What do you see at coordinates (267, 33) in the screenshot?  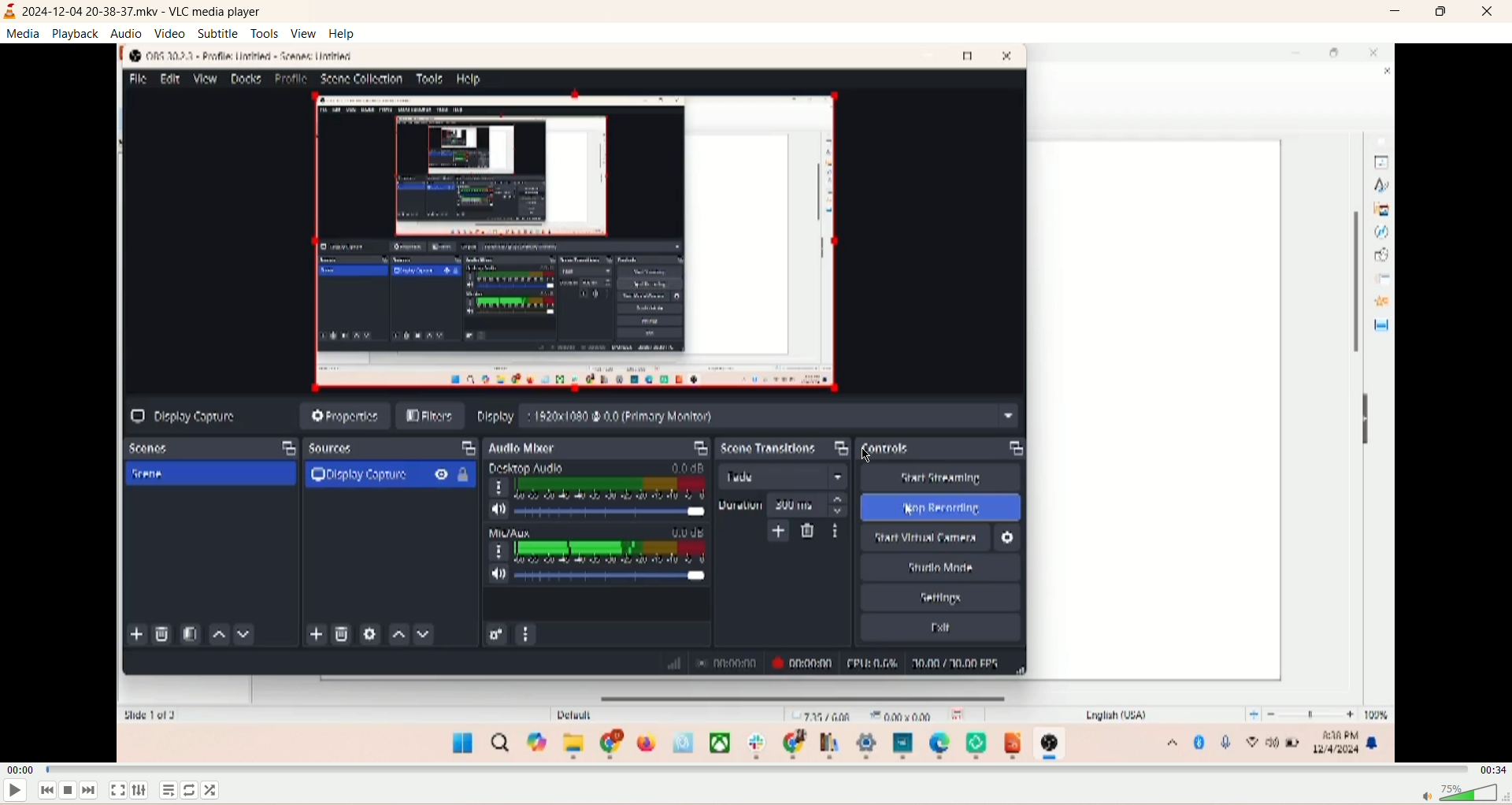 I see `tools` at bounding box center [267, 33].